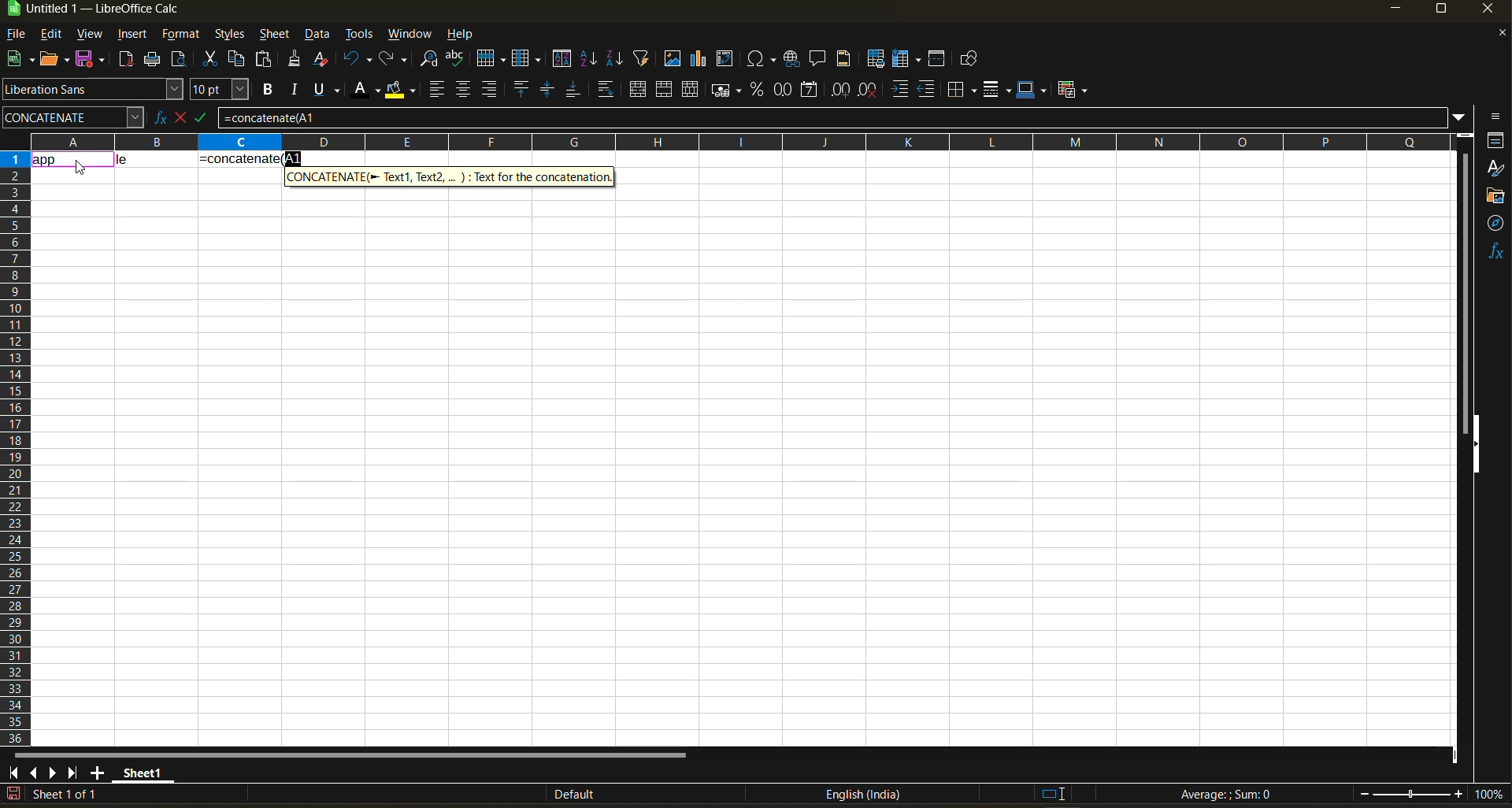 The height and width of the screenshot is (808, 1512). What do you see at coordinates (13, 795) in the screenshot?
I see `click to save` at bounding box center [13, 795].